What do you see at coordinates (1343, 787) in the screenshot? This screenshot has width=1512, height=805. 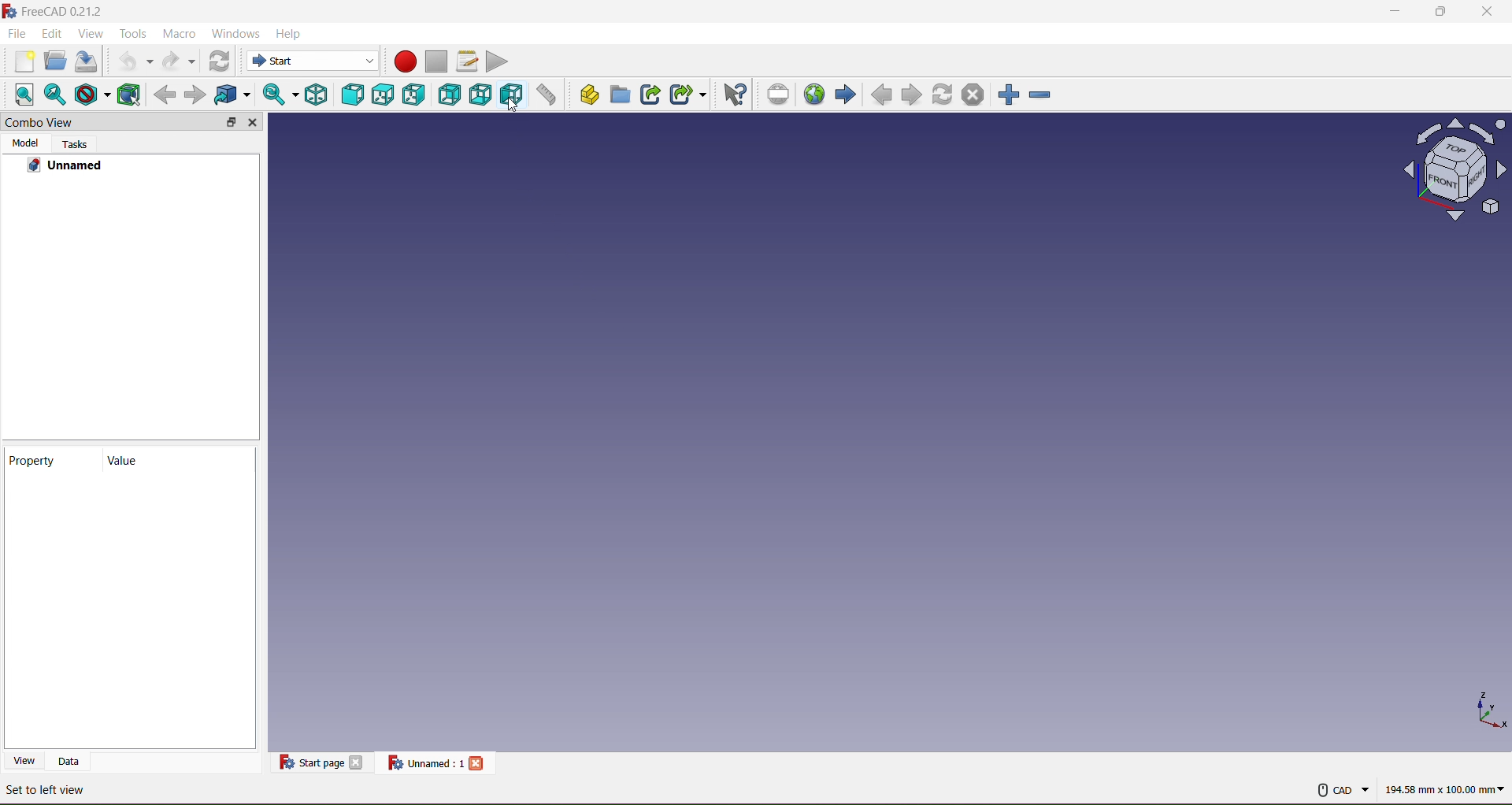 I see `CAD Mouse` at bounding box center [1343, 787].